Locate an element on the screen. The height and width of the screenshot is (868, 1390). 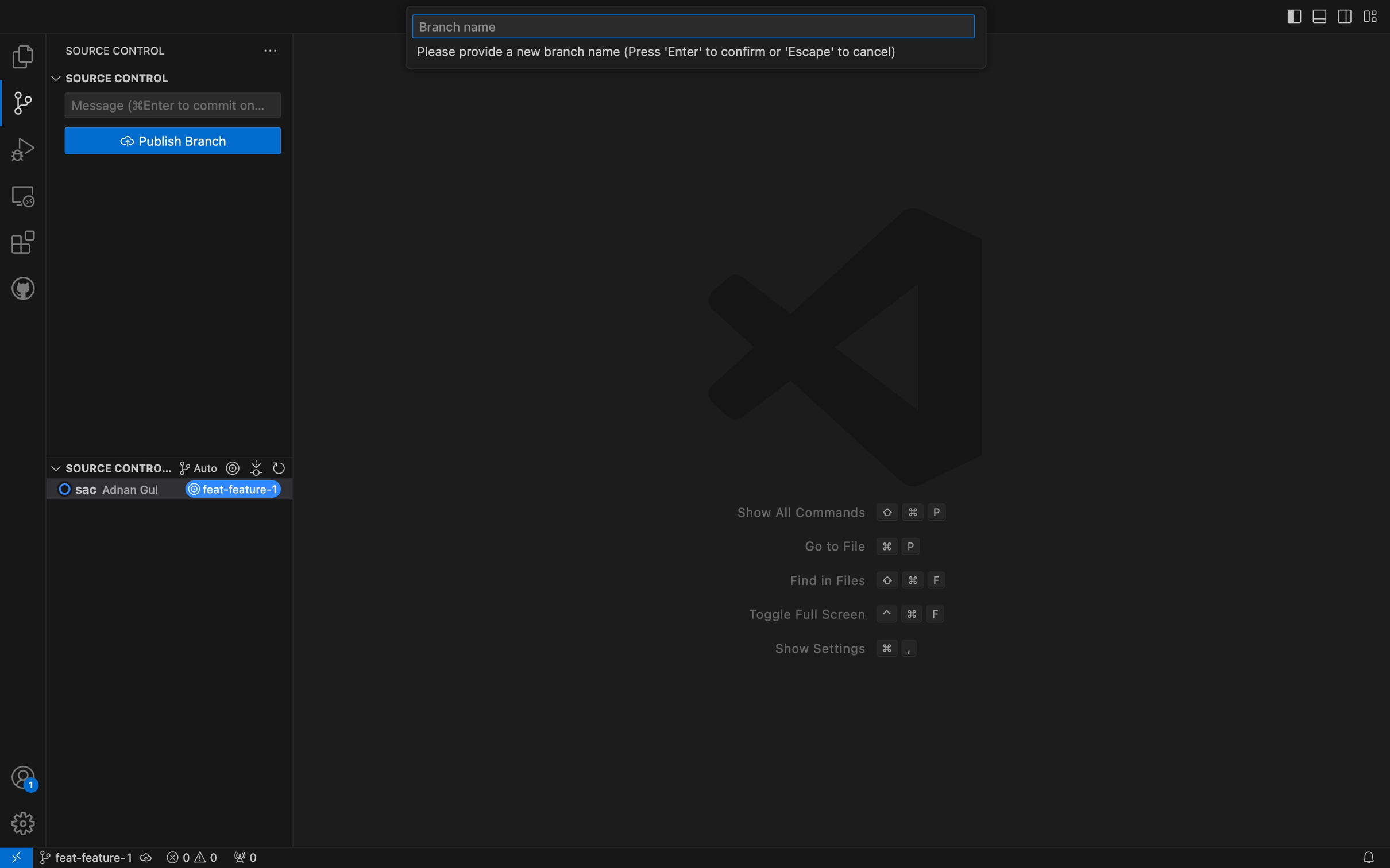
git lens options is located at coordinates (229, 468).